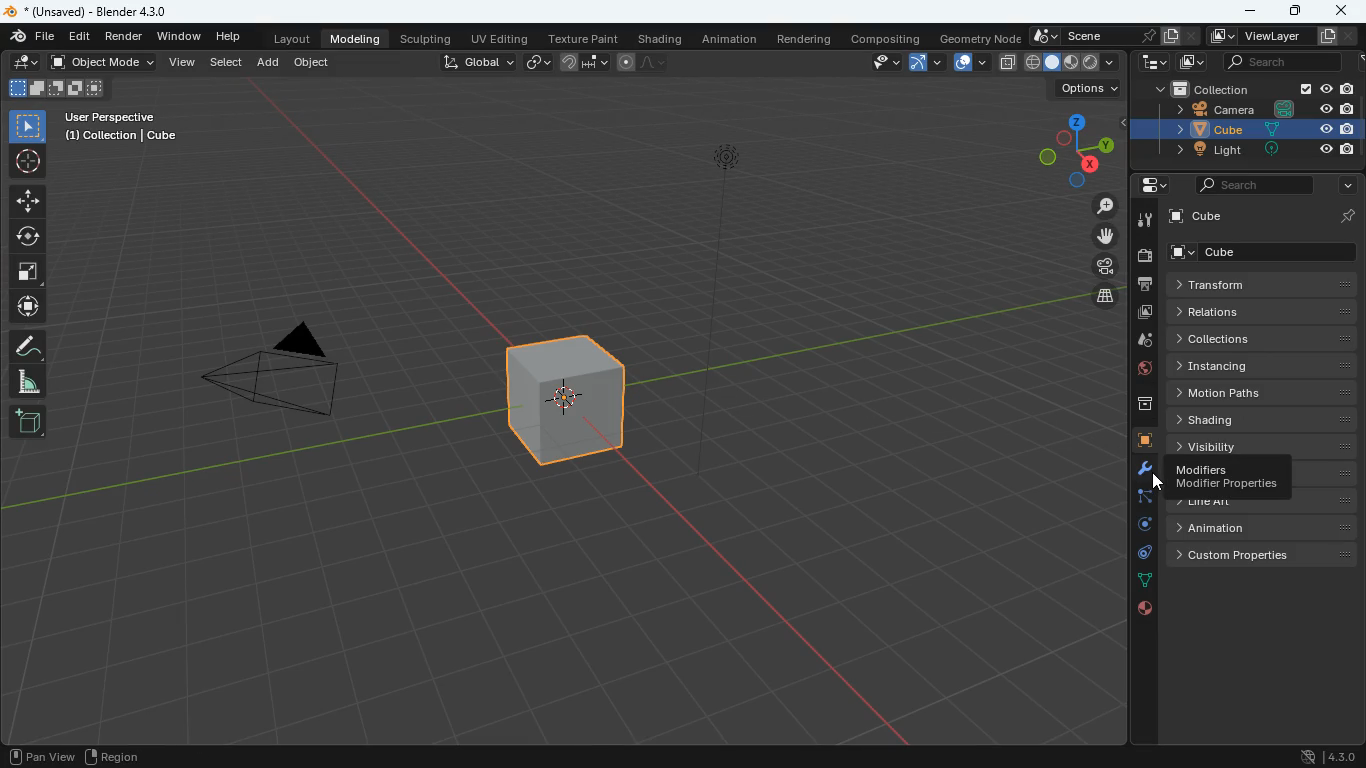 The width and height of the screenshot is (1366, 768). Describe the element at coordinates (645, 61) in the screenshot. I see `line` at that location.